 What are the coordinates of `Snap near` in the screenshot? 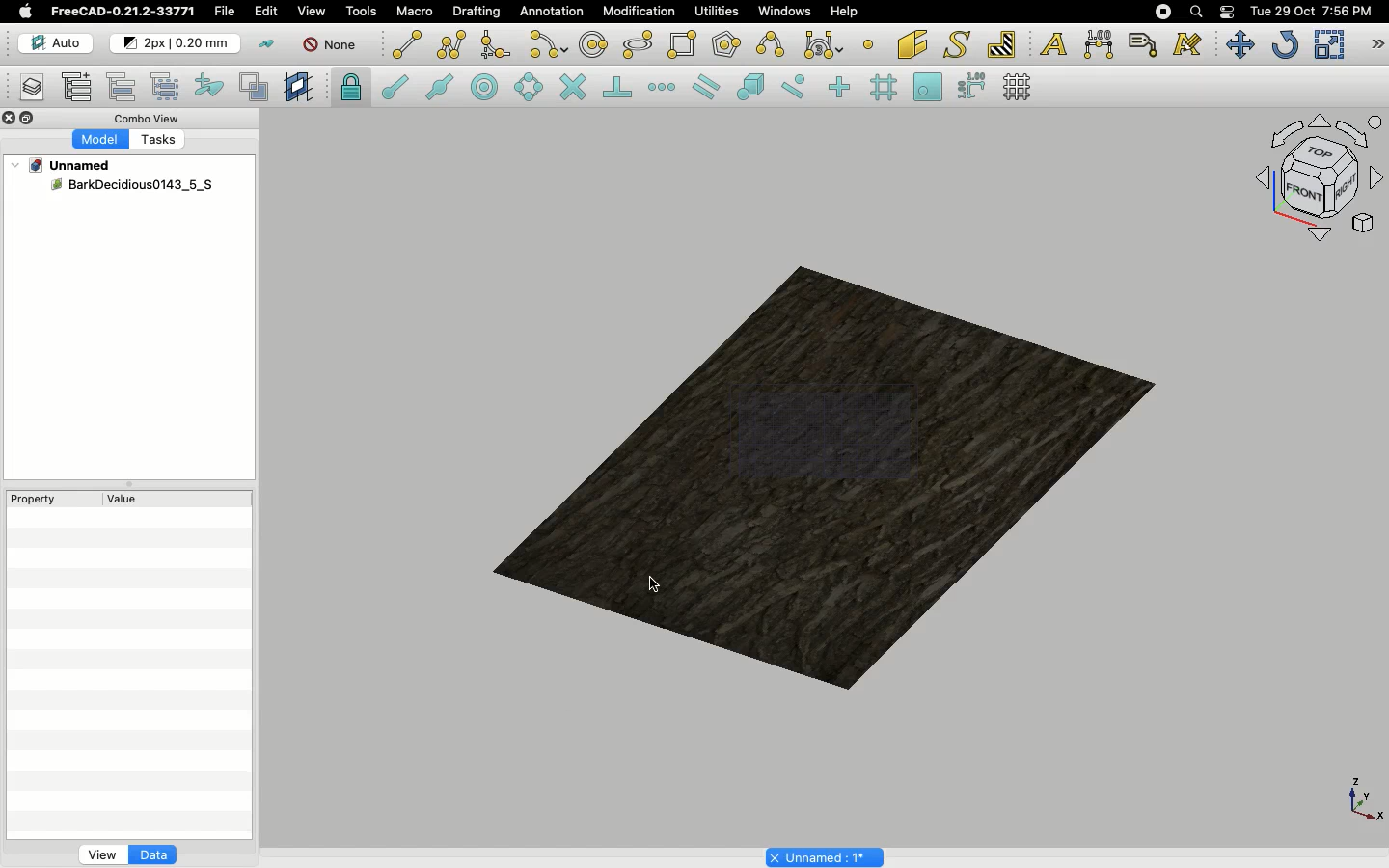 It's located at (799, 87).